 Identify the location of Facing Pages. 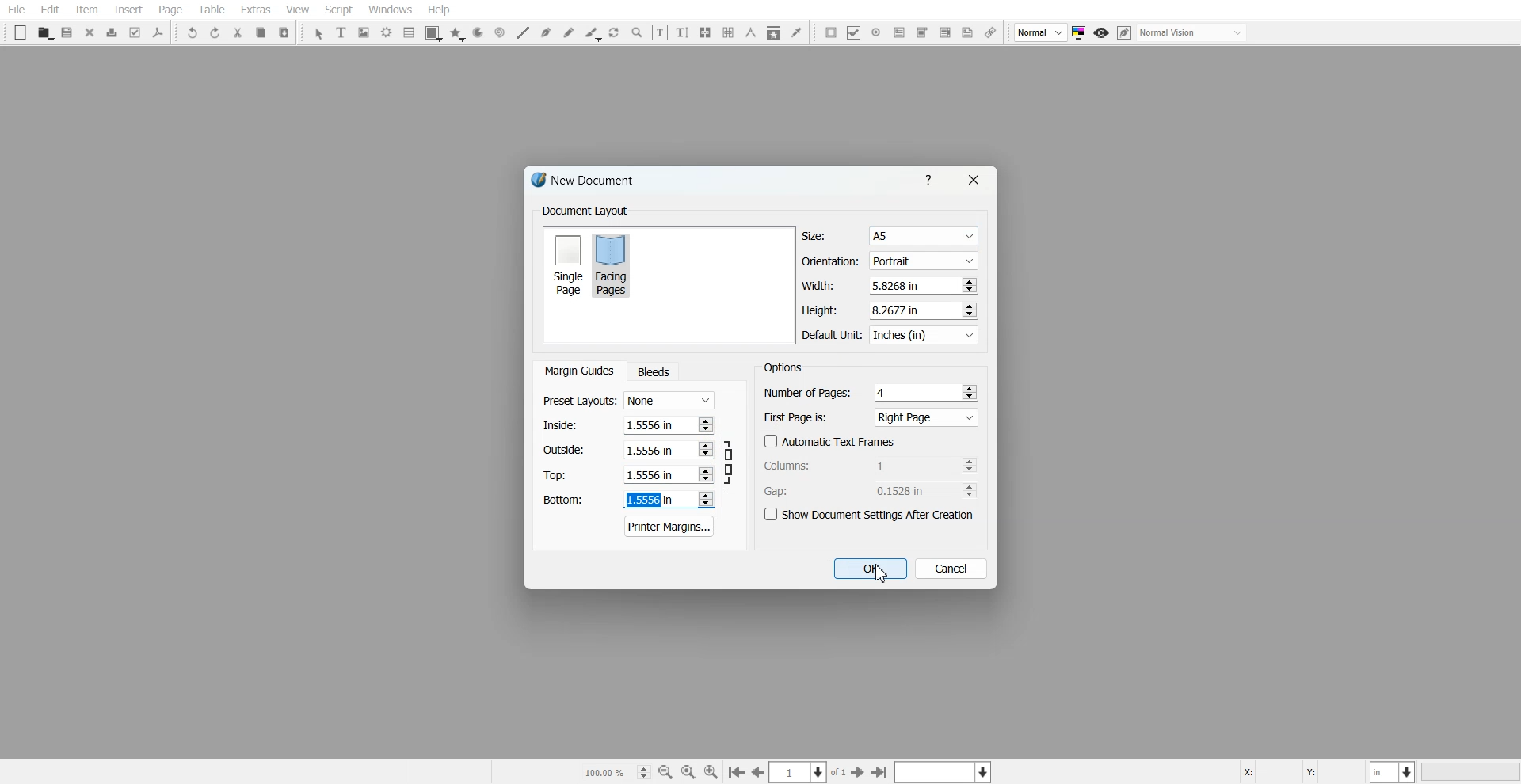
(614, 265).